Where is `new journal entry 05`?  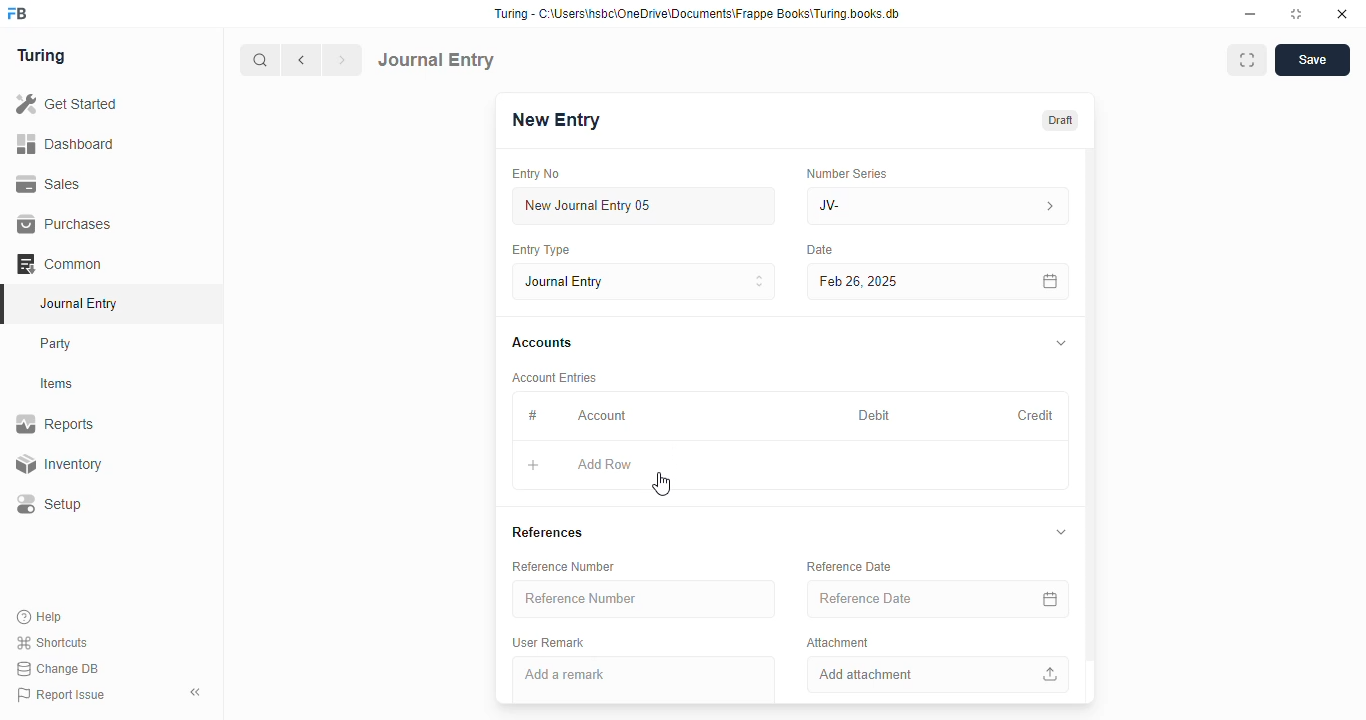
new journal entry 05 is located at coordinates (645, 207).